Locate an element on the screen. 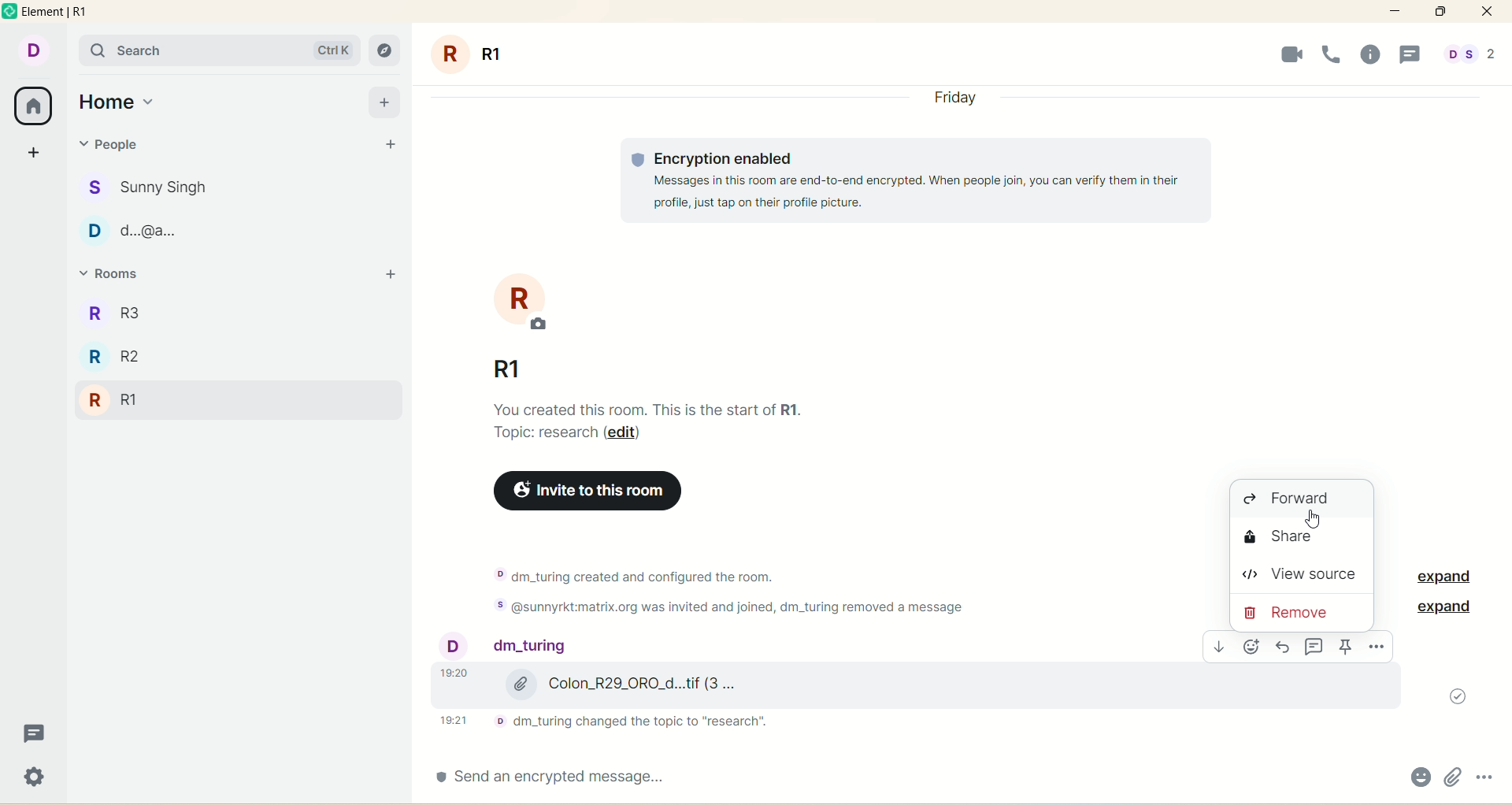 The height and width of the screenshot is (805, 1512). threads is located at coordinates (1410, 56).